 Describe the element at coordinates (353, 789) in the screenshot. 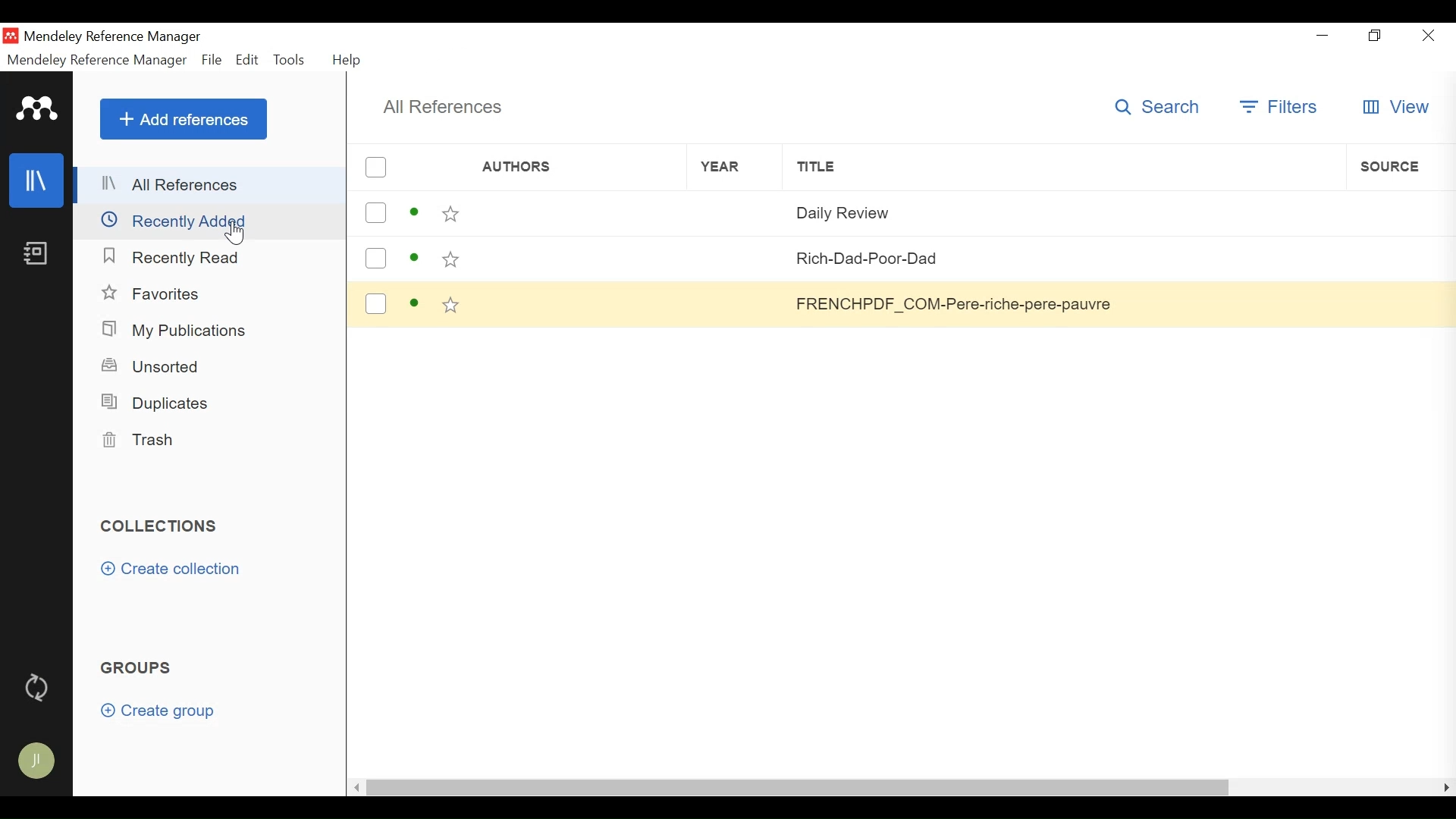

I see `Scroll left` at that location.